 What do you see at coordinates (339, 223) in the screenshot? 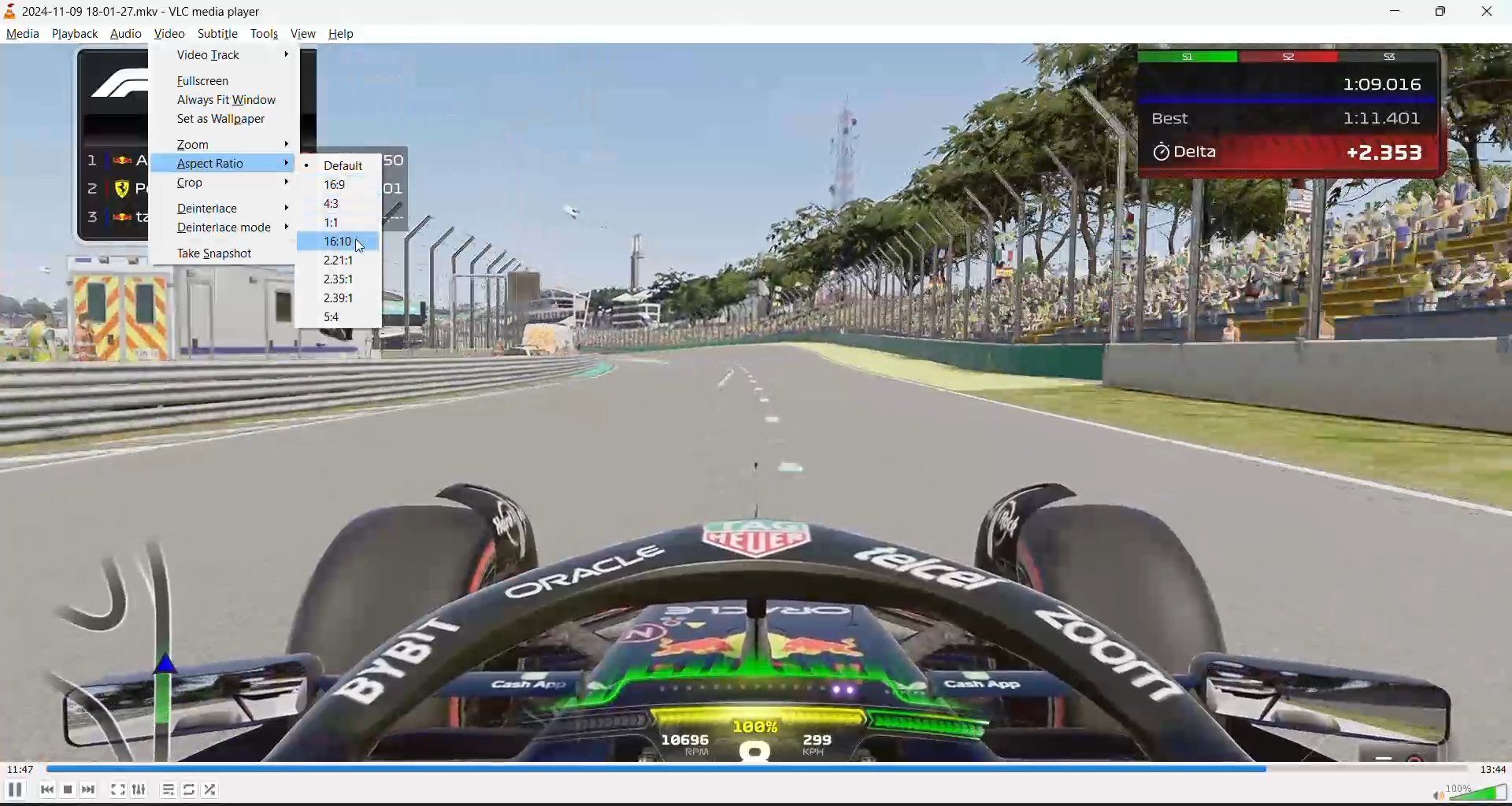
I see `1:1` at bounding box center [339, 223].